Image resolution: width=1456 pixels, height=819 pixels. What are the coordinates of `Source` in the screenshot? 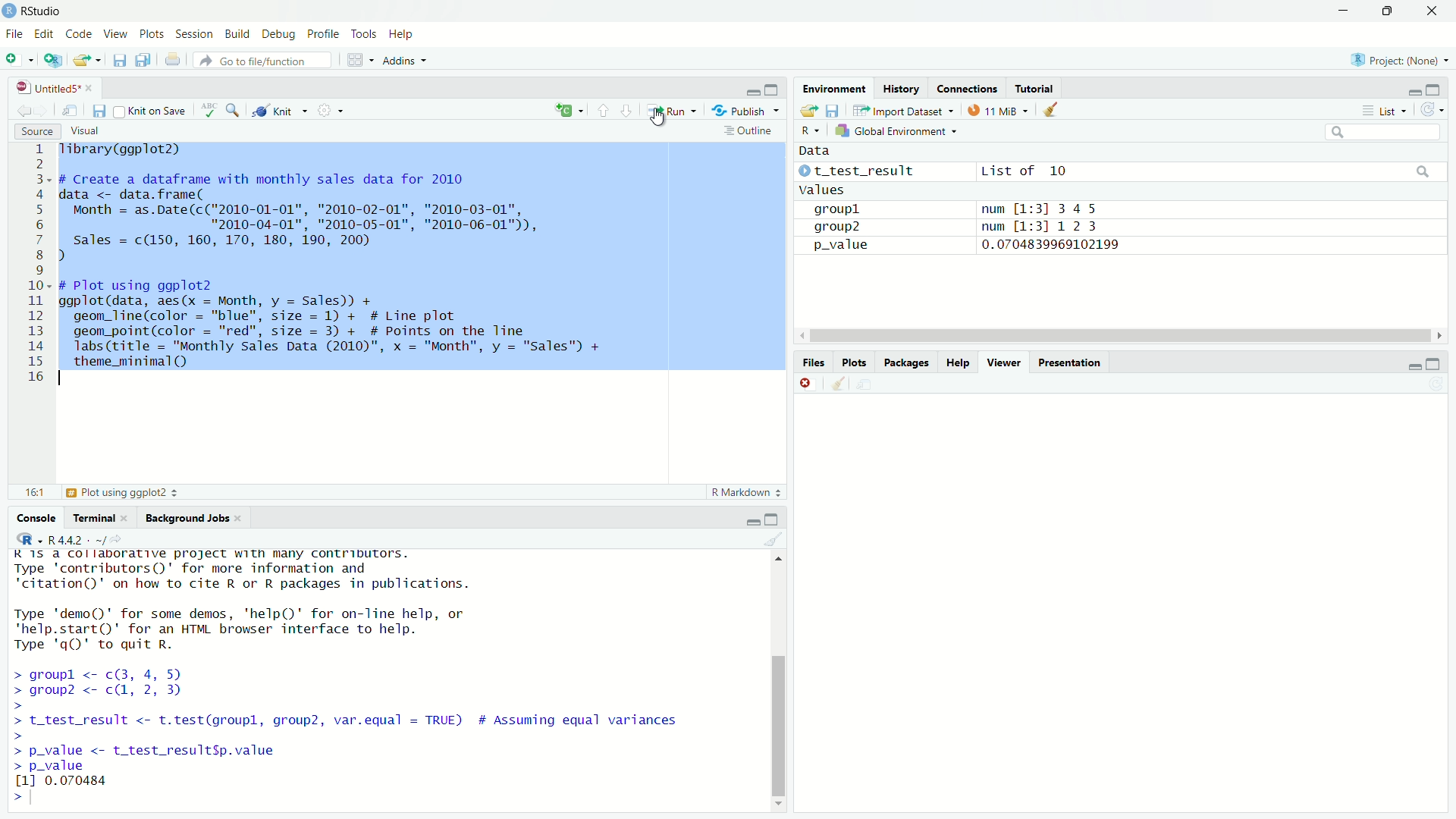 It's located at (36, 132).